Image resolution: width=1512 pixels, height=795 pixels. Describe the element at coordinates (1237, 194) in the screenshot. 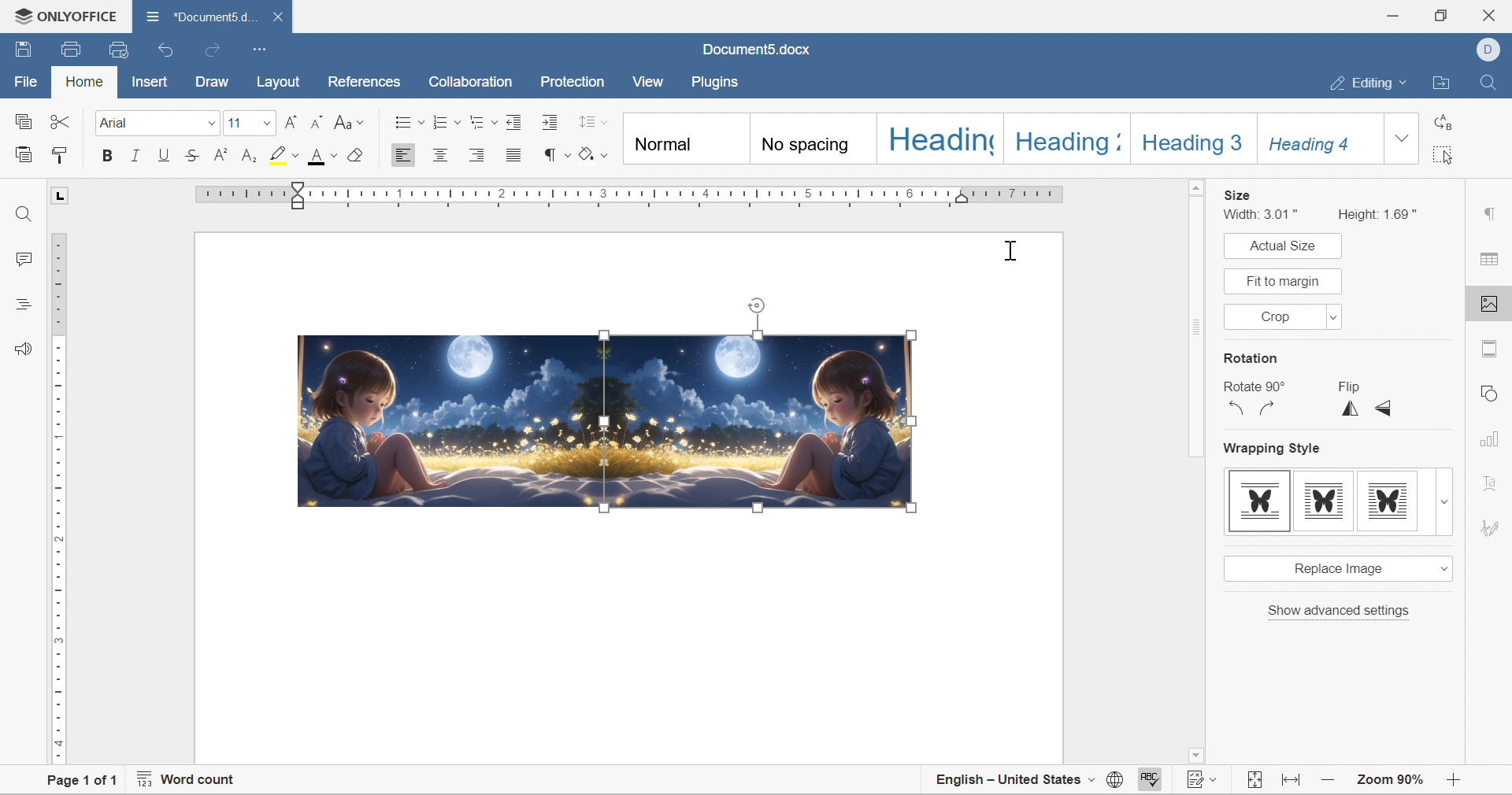

I see `size` at that location.